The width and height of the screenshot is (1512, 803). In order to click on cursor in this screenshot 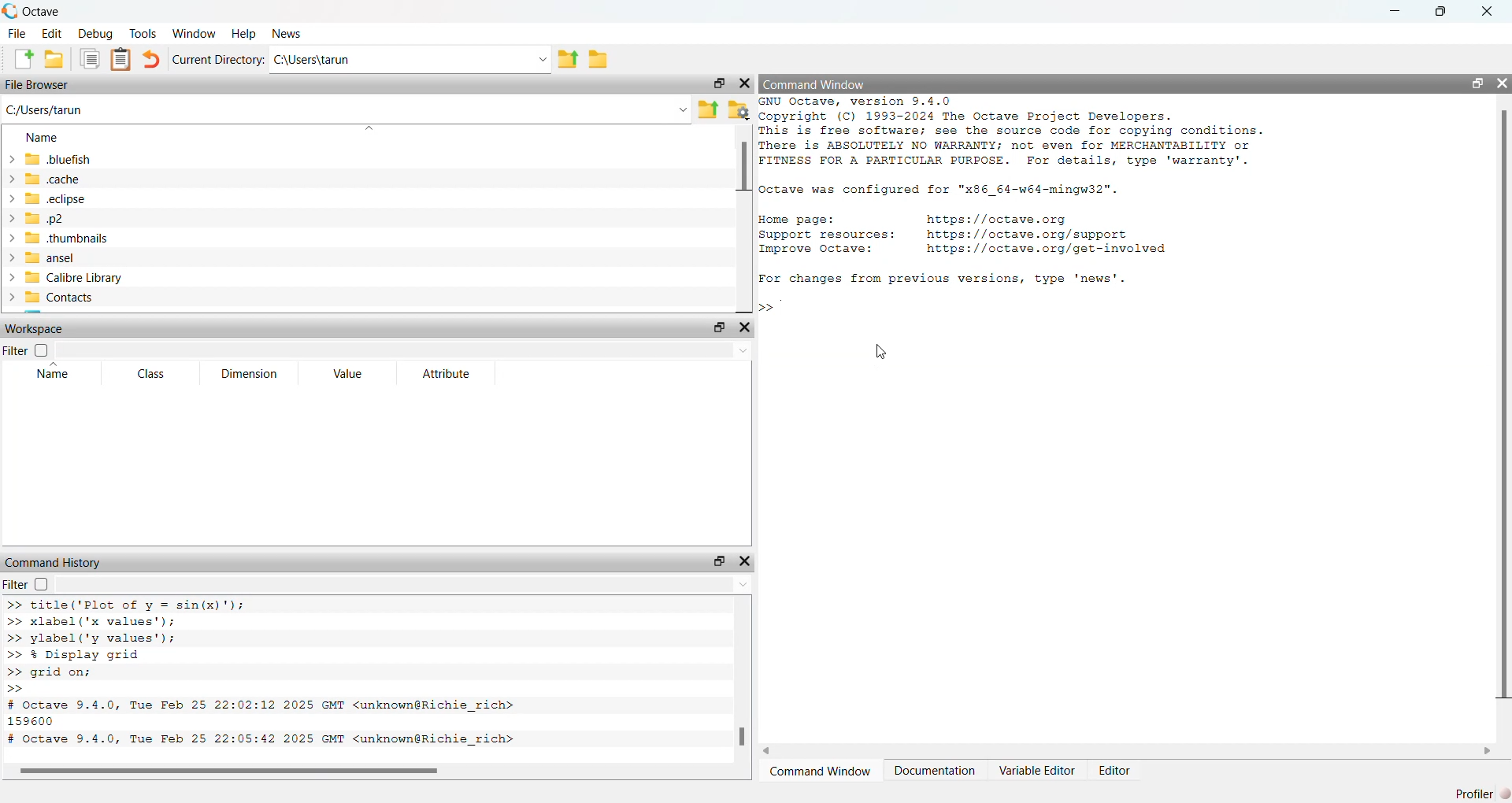, I will do `click(877, 353)`.